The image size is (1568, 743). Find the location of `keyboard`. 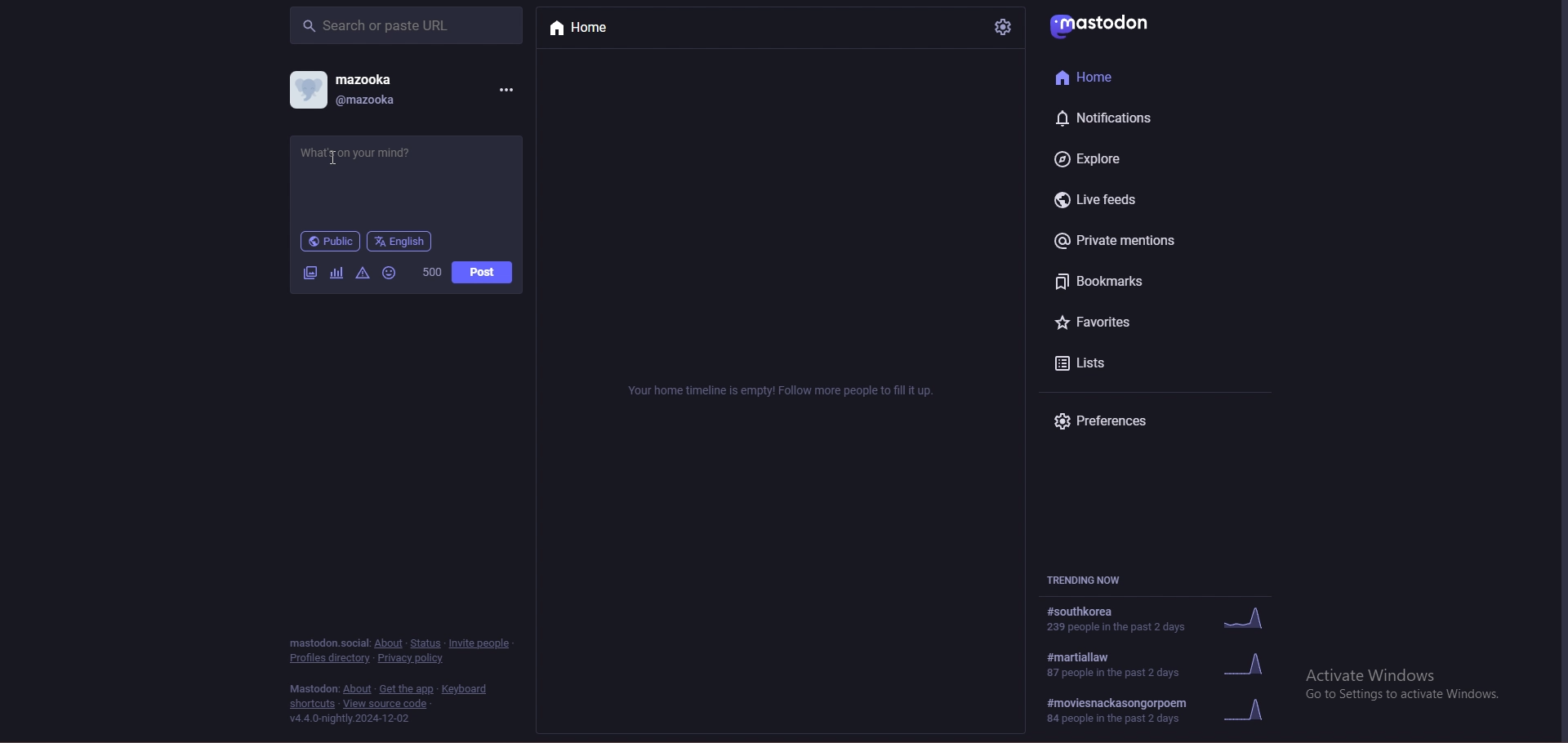

keyboard is located at coordinates (467, 689).